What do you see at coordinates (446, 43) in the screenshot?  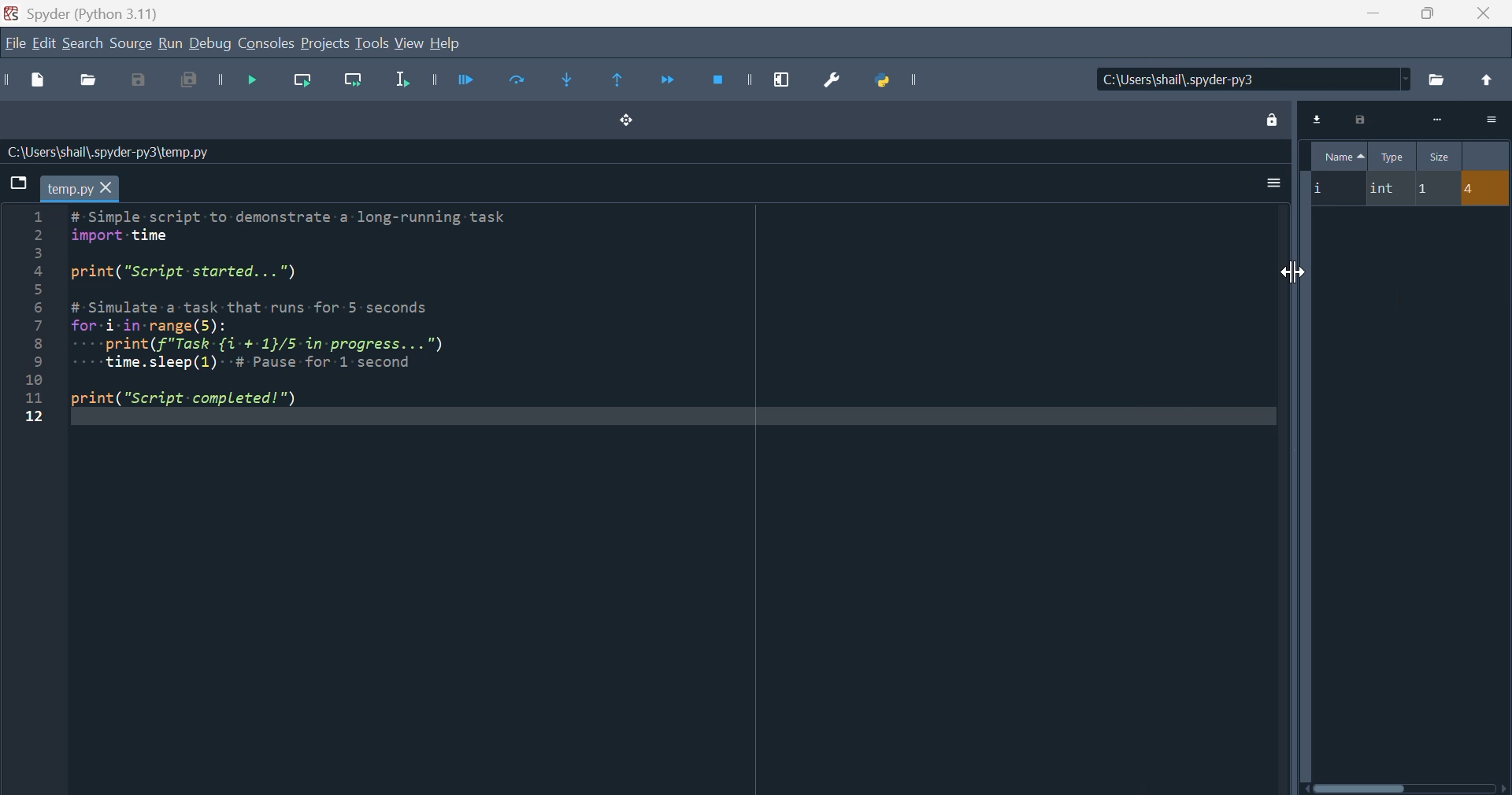 I see `help` at bounding box center [446, 43].